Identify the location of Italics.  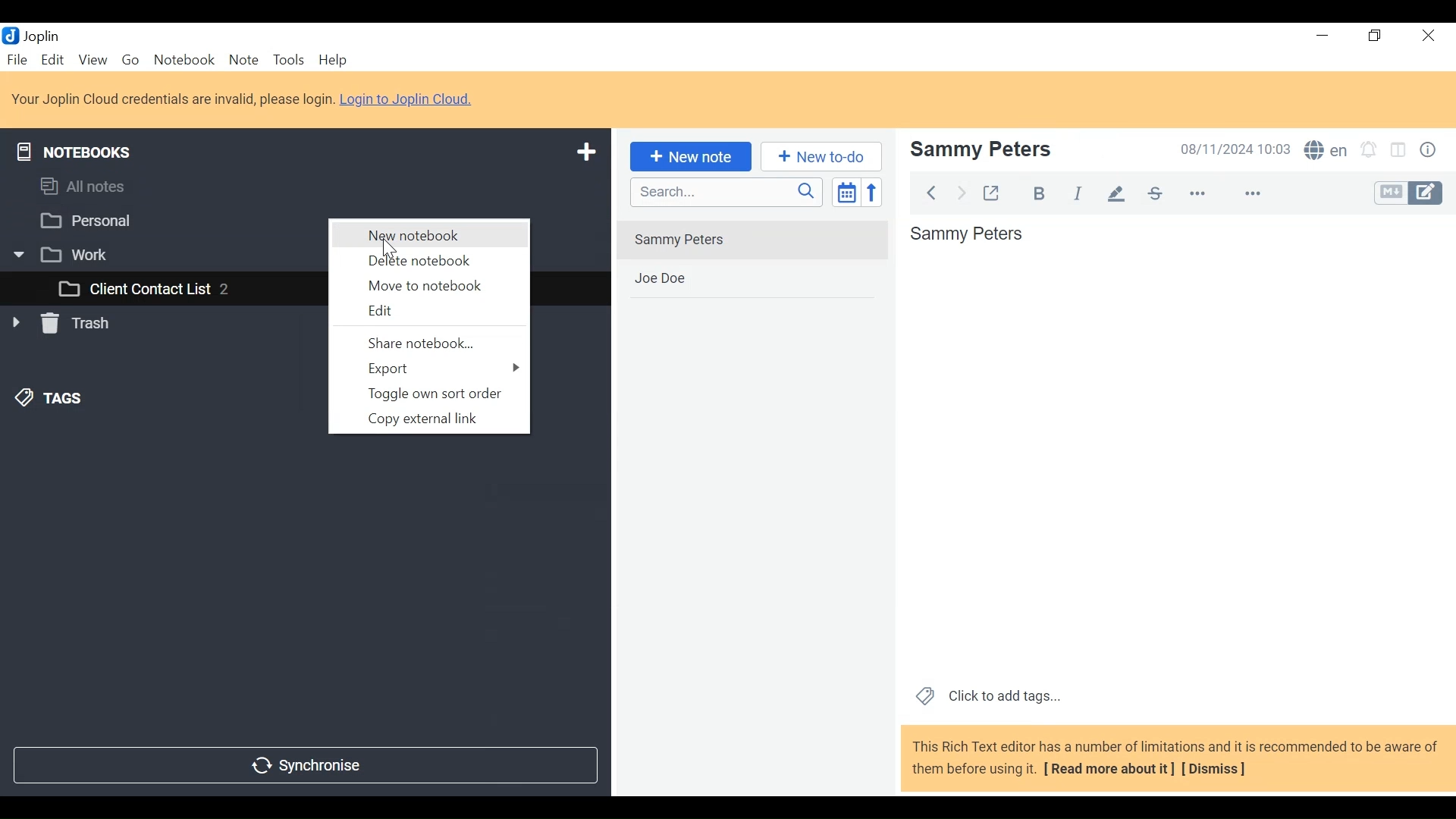
(1081, 192).